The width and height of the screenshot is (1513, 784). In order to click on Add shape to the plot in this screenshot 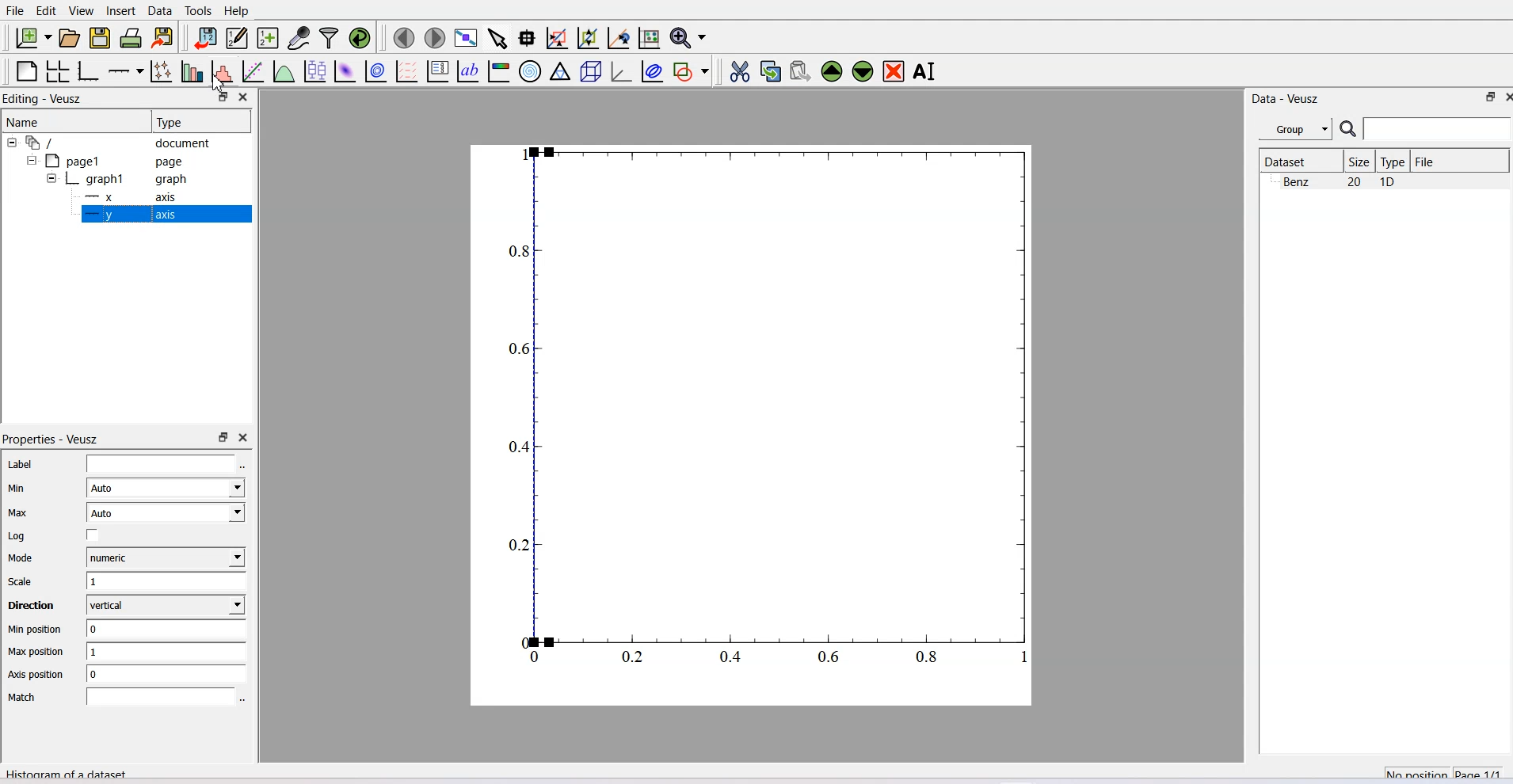, I will do `click(690, 71)`.